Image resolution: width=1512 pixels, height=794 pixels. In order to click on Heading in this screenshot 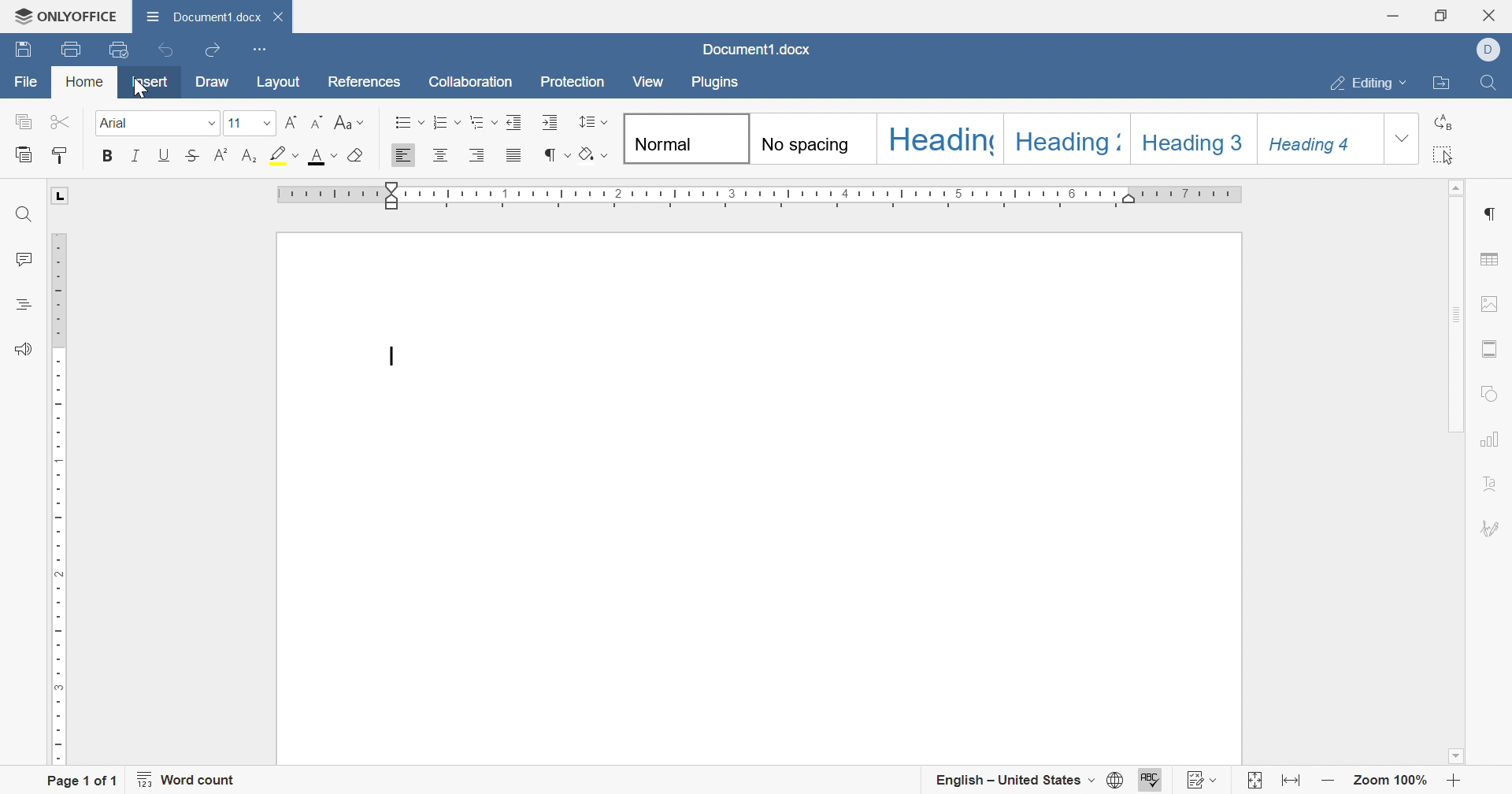, I will do `click(1065, 143)`.